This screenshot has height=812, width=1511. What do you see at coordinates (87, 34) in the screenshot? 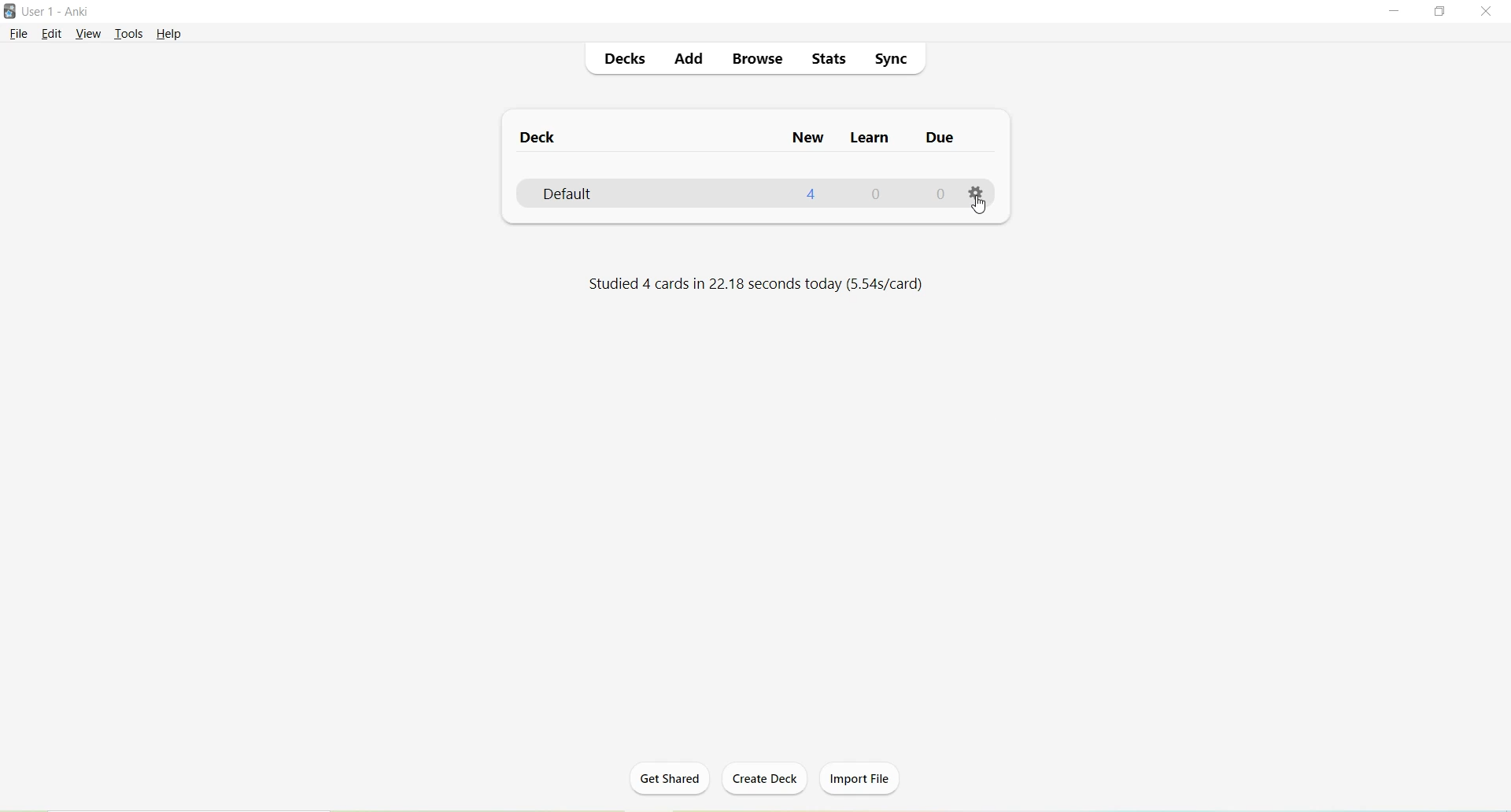
I see `View` at bounding box center [87, 34].